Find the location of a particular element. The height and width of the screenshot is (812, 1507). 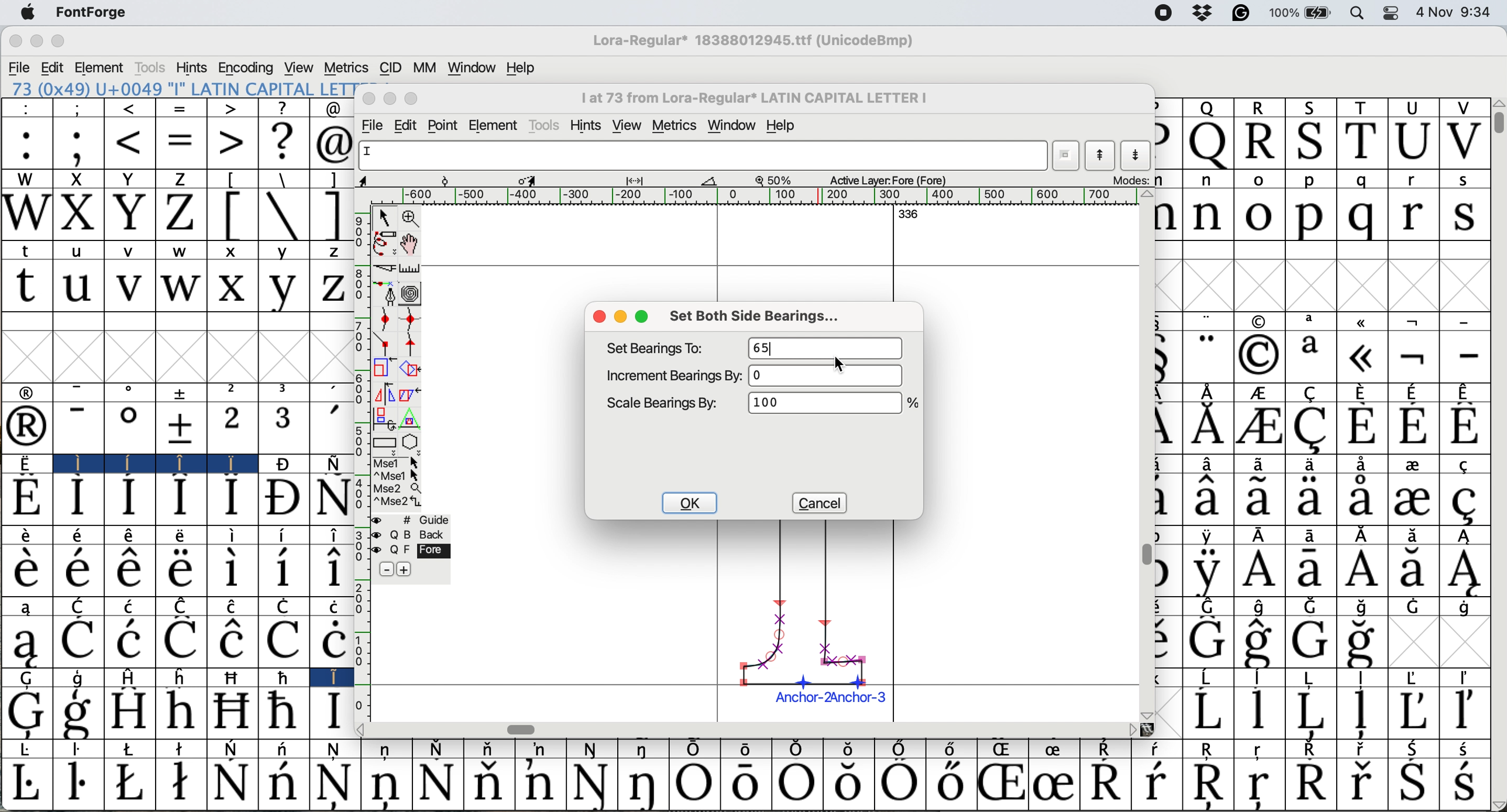

horizontal scroll bar is located at coordinates (521, 728).